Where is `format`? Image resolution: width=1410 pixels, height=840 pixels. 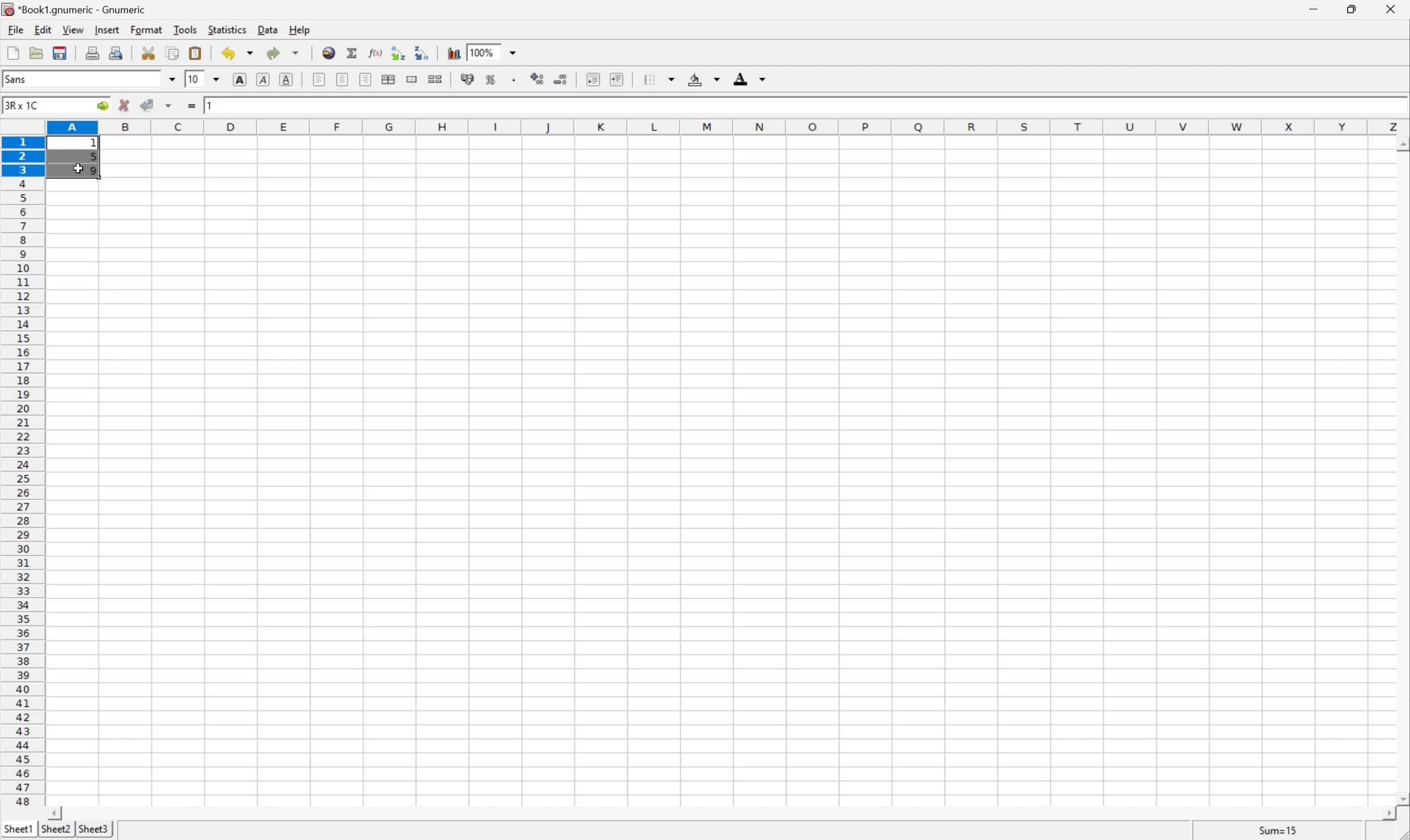
format is located at coordinates (148, 29).